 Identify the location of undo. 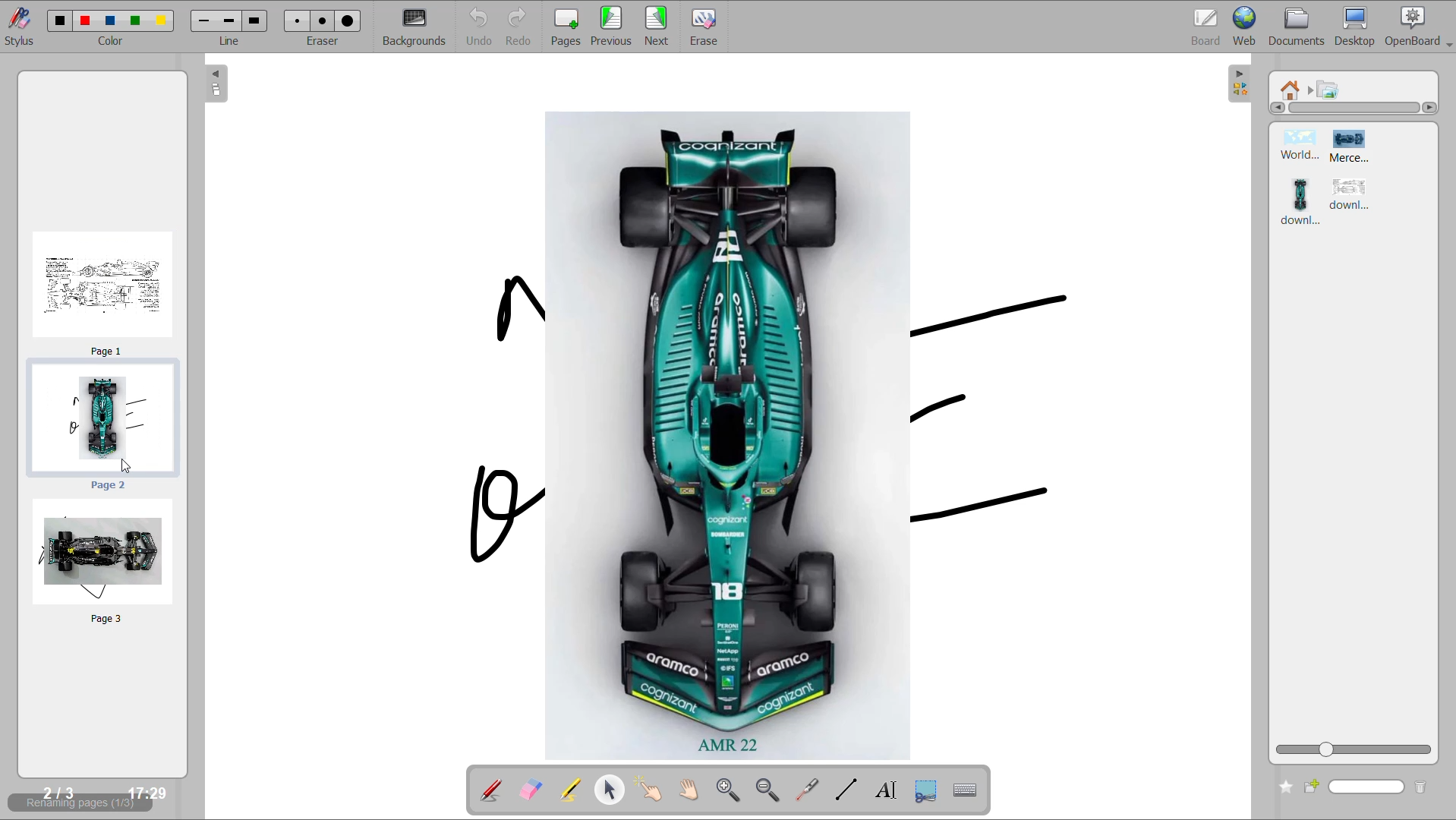
(474, 27).